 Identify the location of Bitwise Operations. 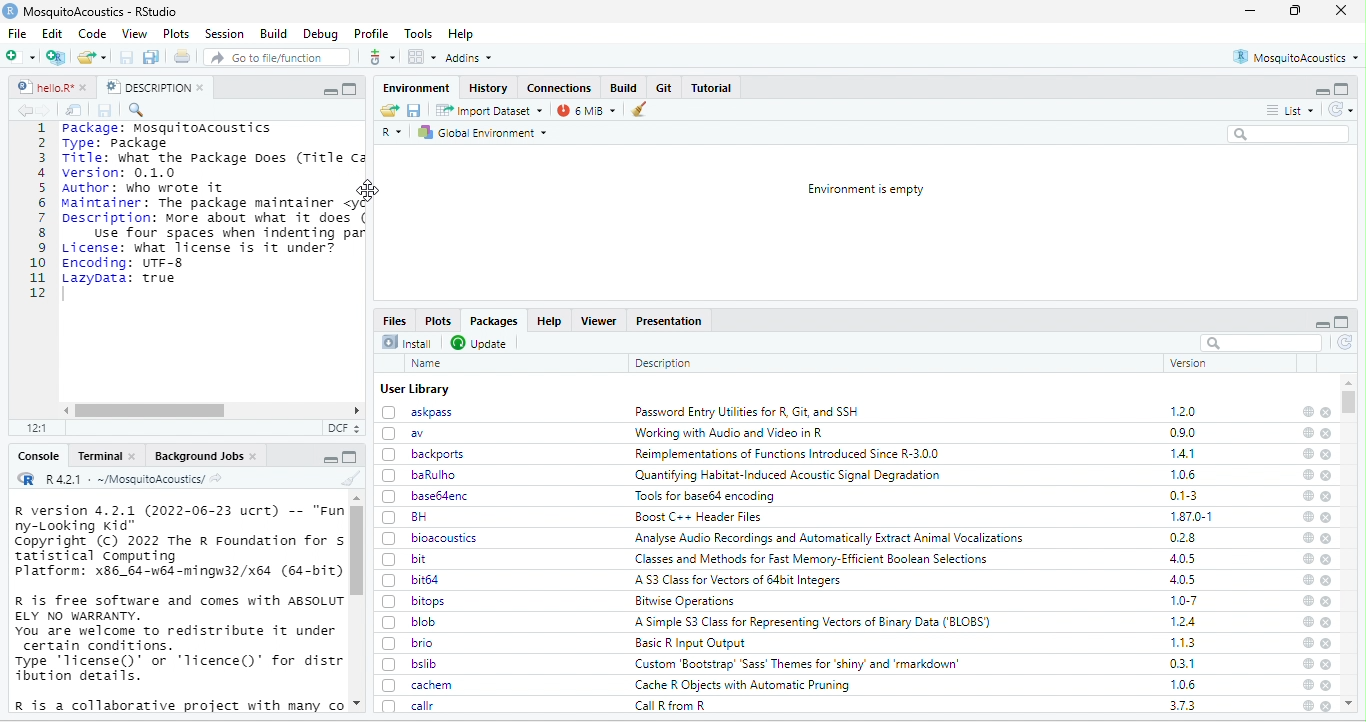
(685, 601).